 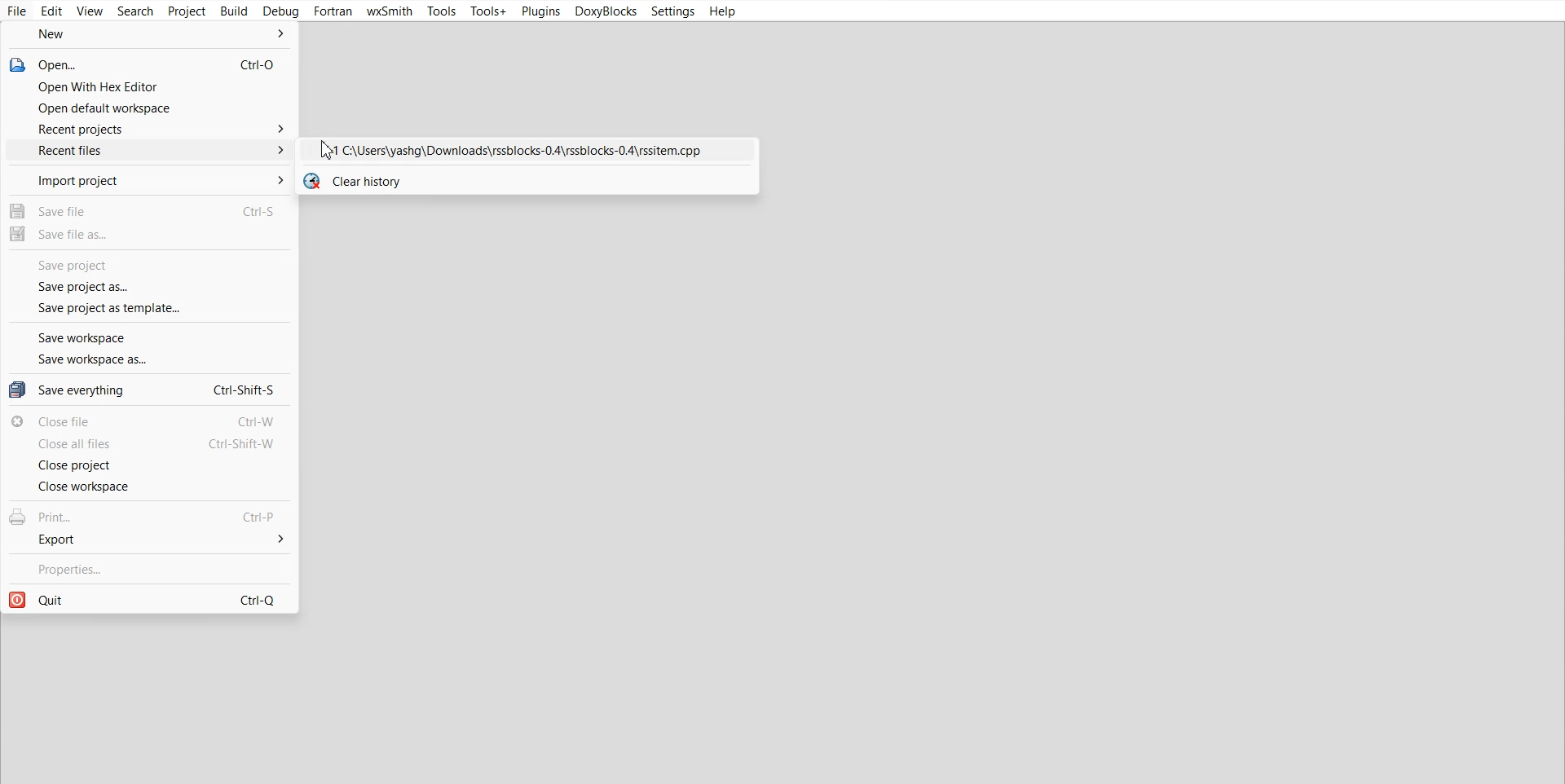 I want to click on Settings, so click(x=672, y=11).